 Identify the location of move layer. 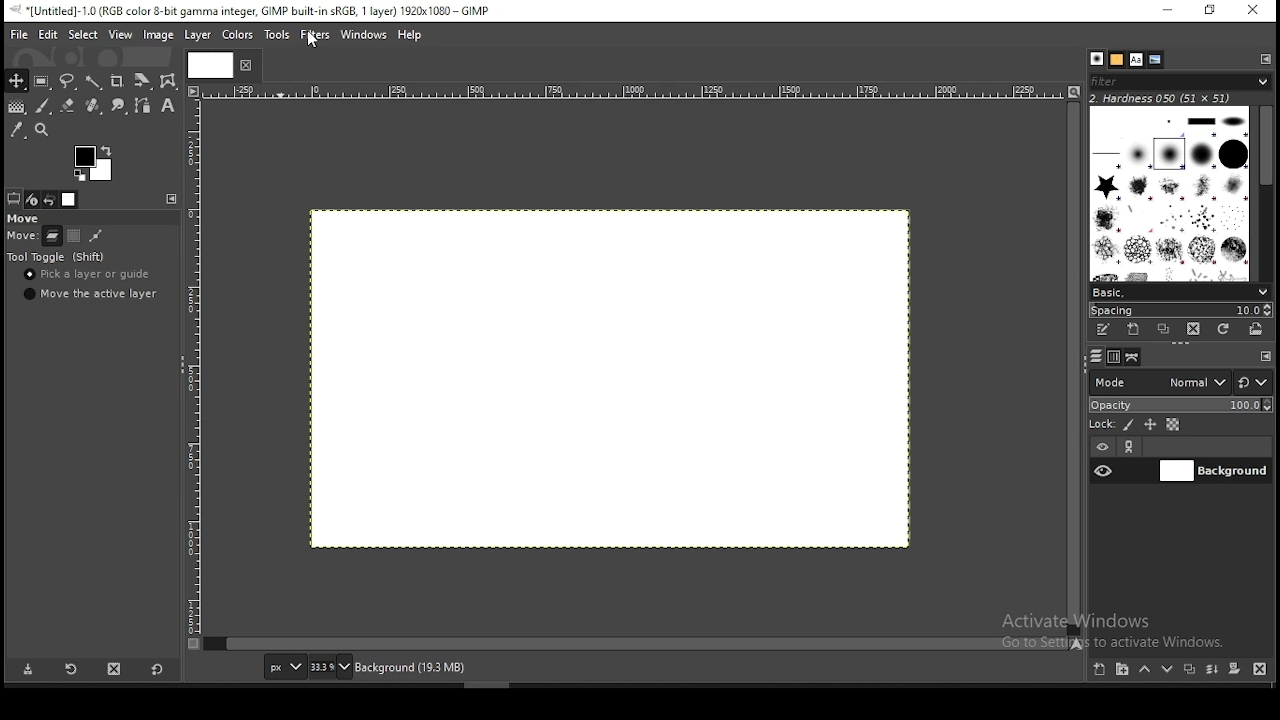
(52, 237).